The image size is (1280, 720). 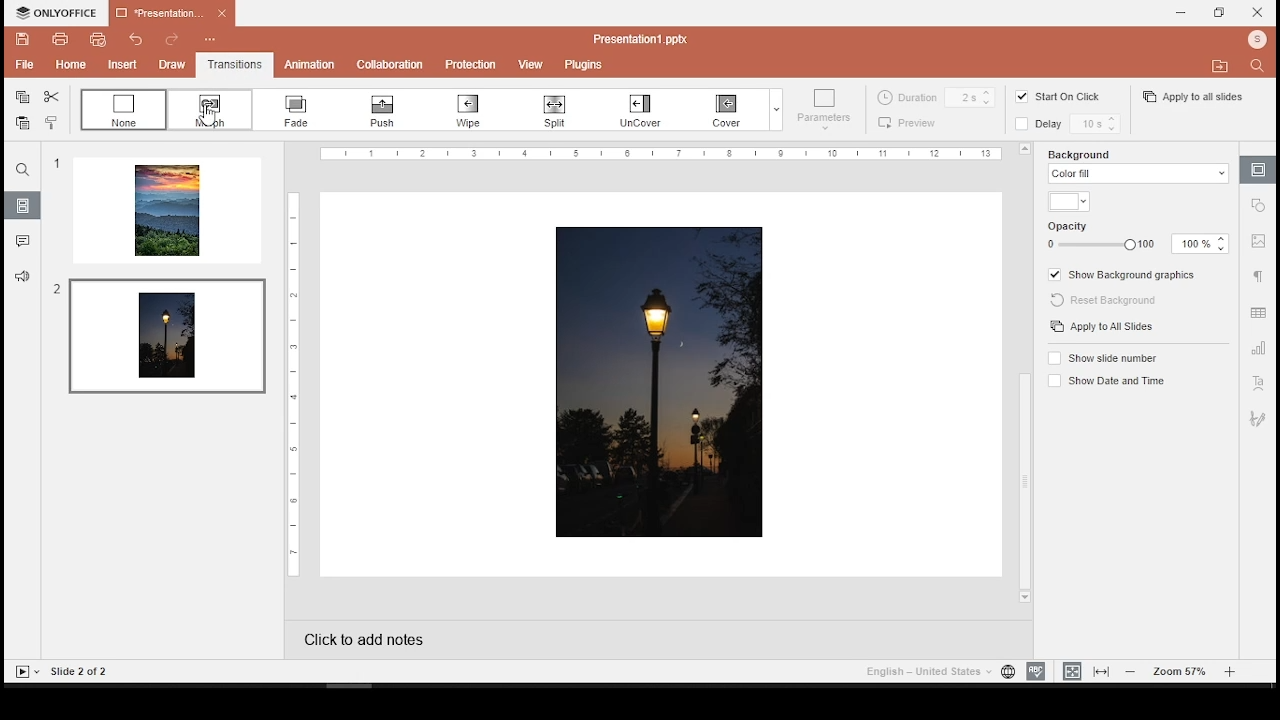 I want to click on color, so click(x=1068, y=201).